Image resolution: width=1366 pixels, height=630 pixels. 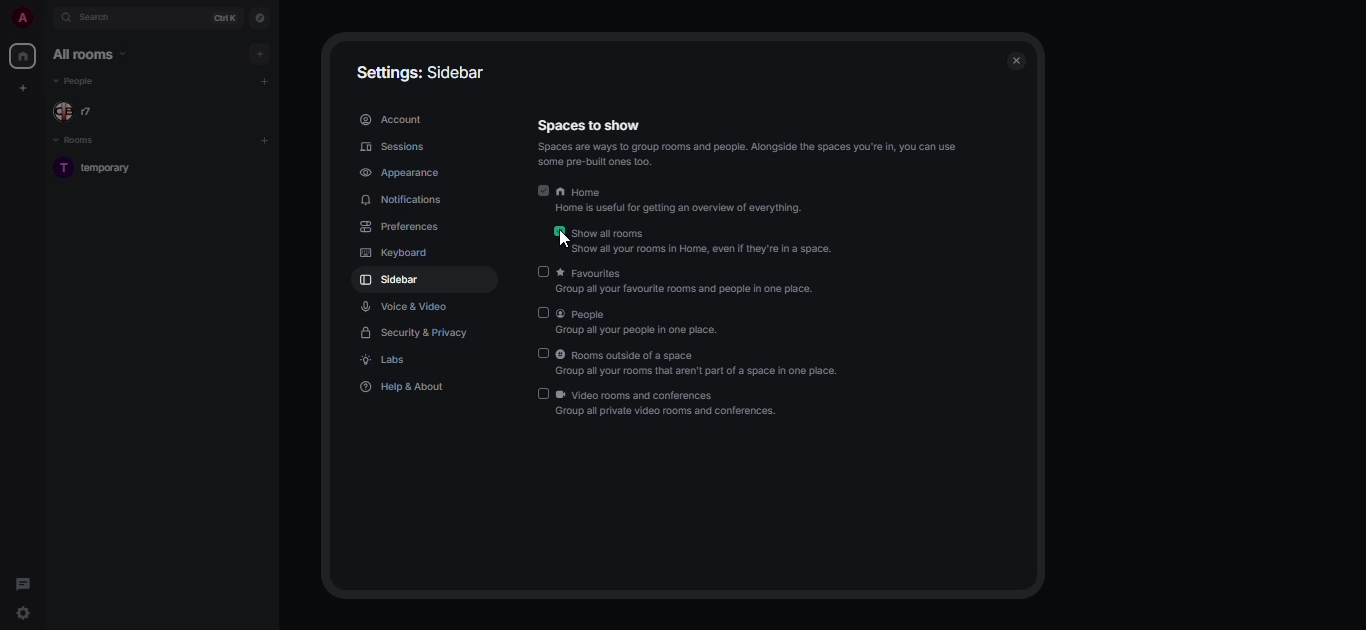 I want to click on add, so click(x=266, y=140).